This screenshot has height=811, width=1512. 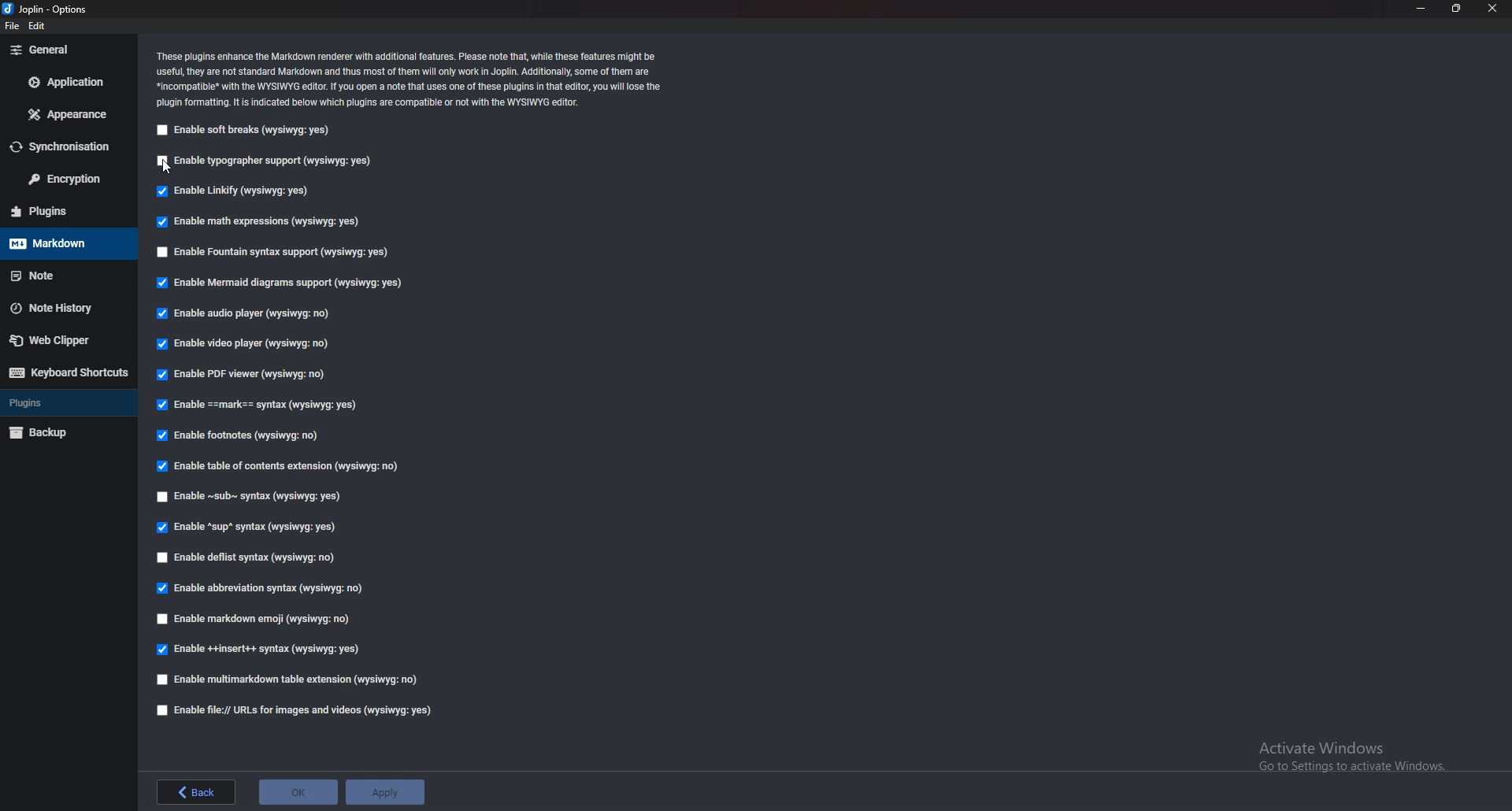 I want to click on  Enable pdf viewer, so click(x=241, y=374).